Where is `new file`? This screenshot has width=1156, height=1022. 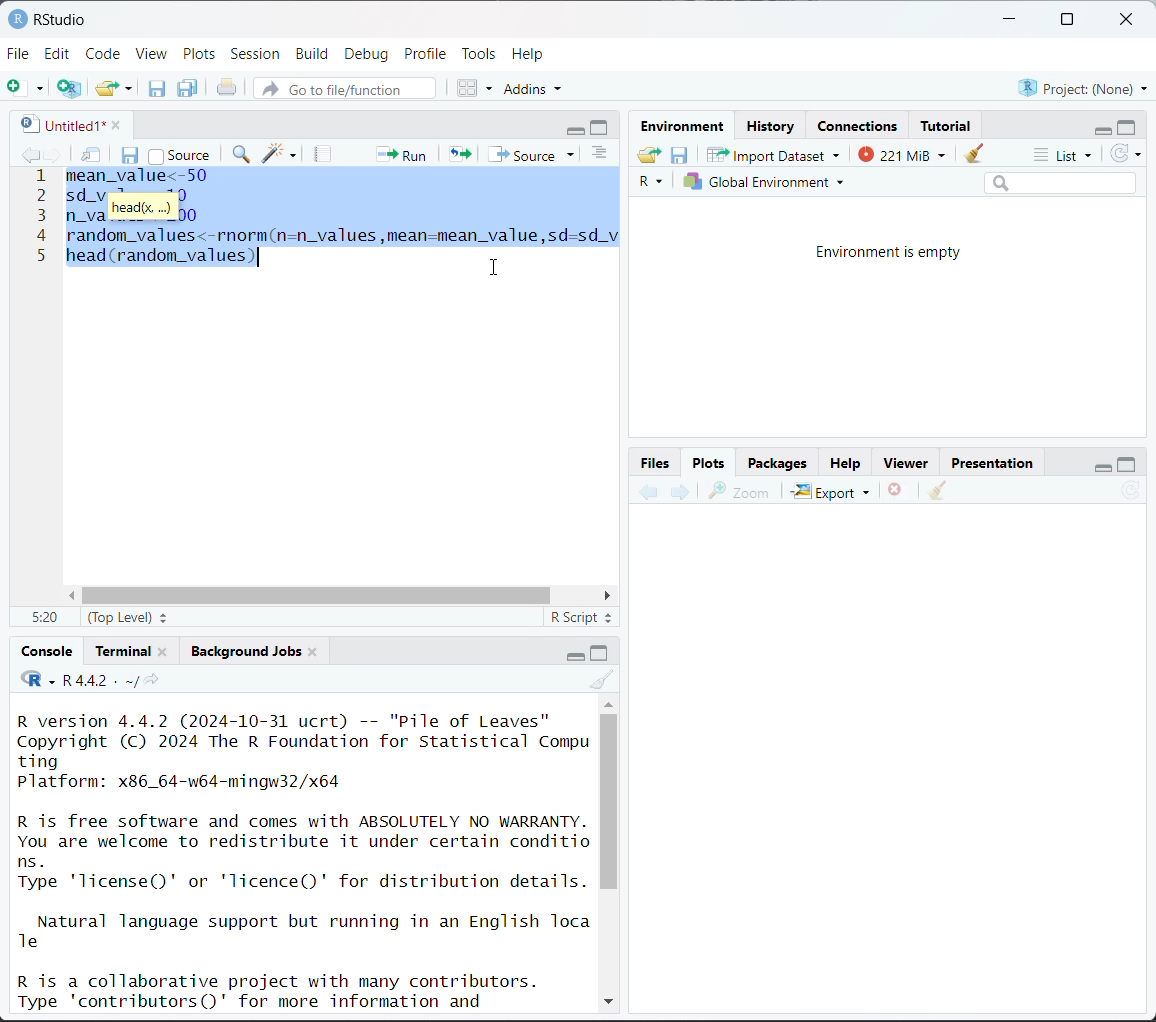
new file is located at coordinates (25, 88).